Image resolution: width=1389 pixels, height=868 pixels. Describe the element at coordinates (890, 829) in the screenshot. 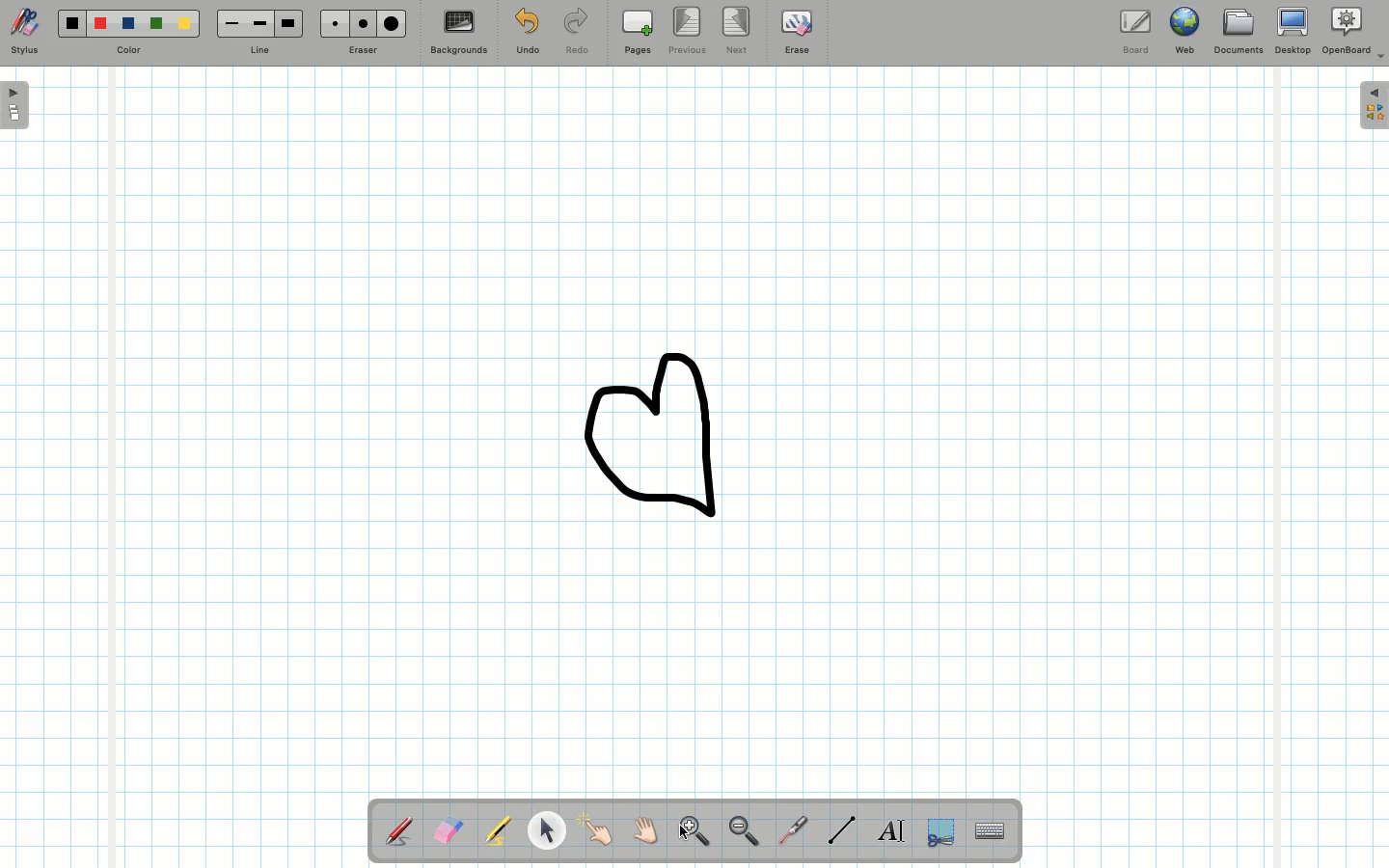

I see `Textbox` at that location.